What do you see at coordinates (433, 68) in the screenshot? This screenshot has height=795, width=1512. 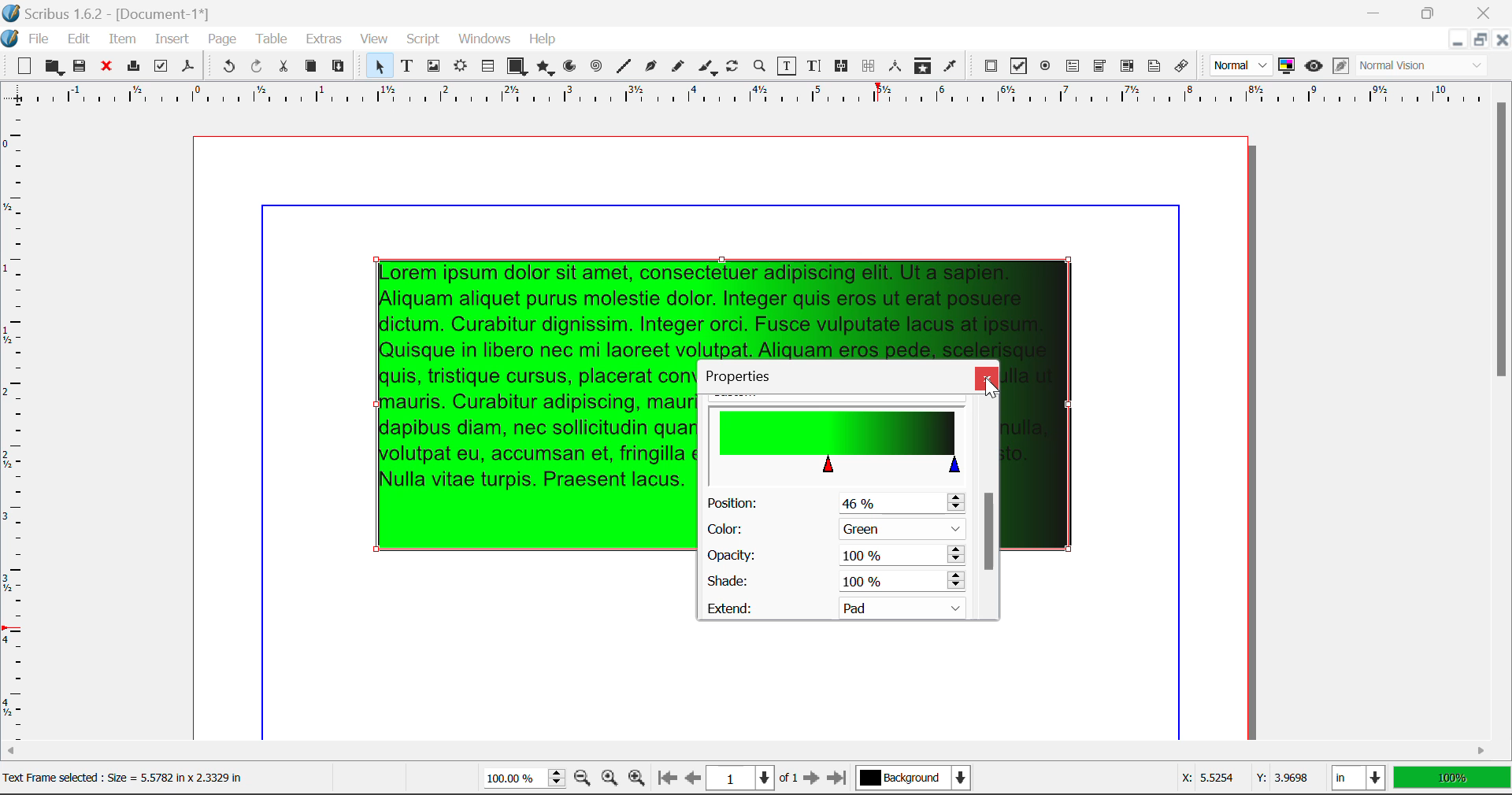 I see `Image Frame` at bounding box center [433, 68].